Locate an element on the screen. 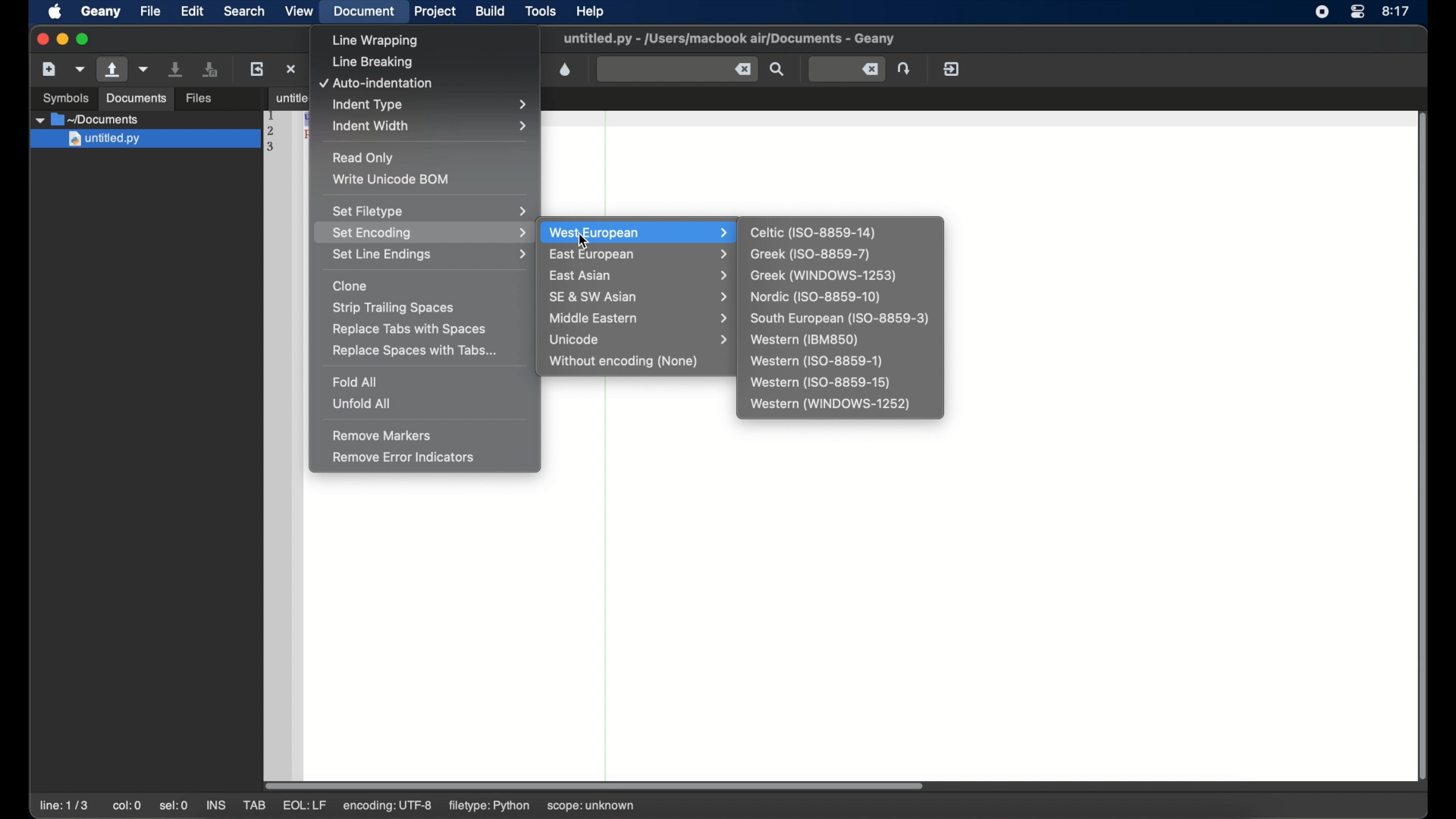 This screenshot has width=1456, height=819. file name is located at coordinates (729, 39).